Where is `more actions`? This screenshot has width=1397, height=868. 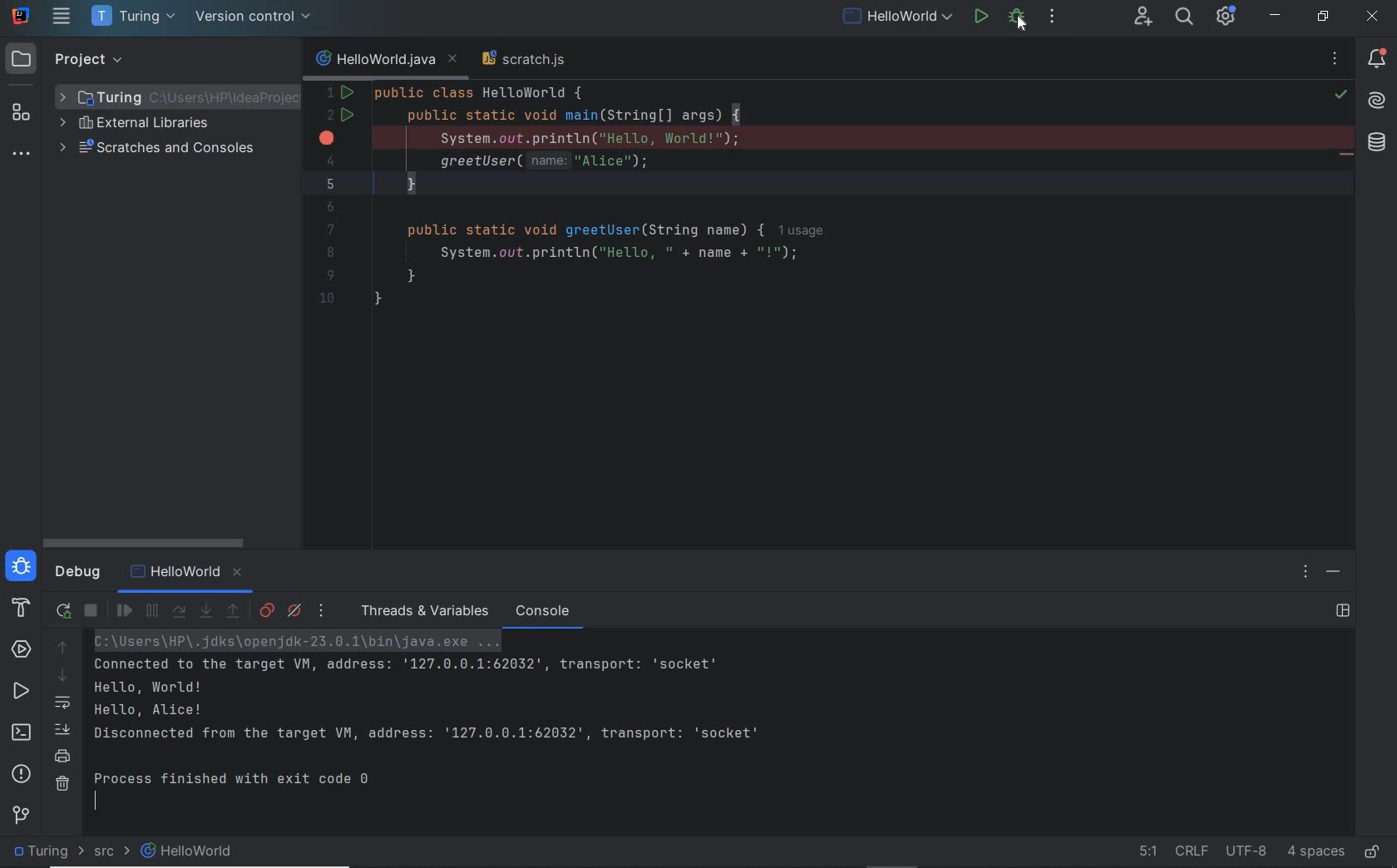
more actions is located at coordinates (1093, 17).